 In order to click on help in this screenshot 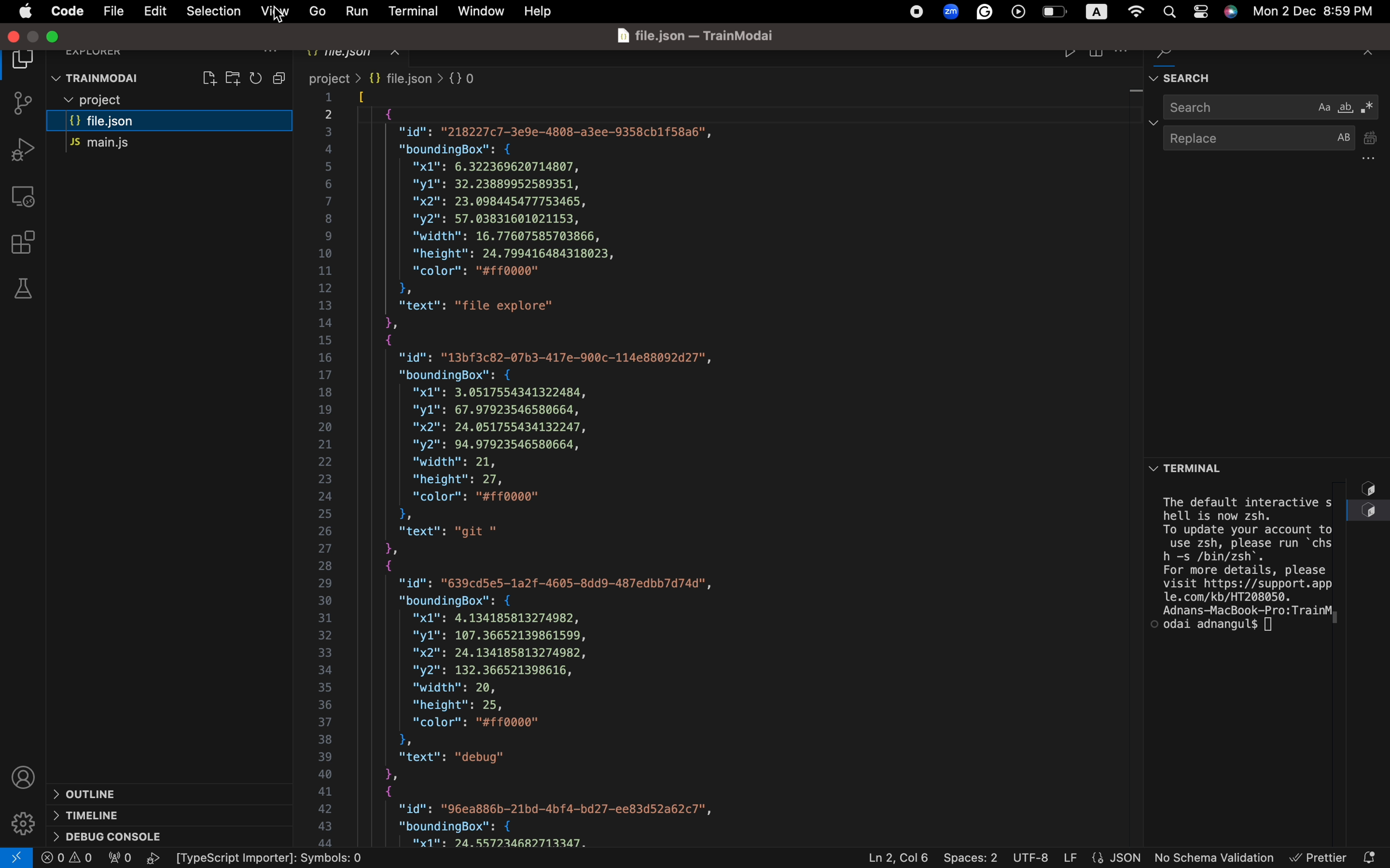, I will do `click(543, 11)`.